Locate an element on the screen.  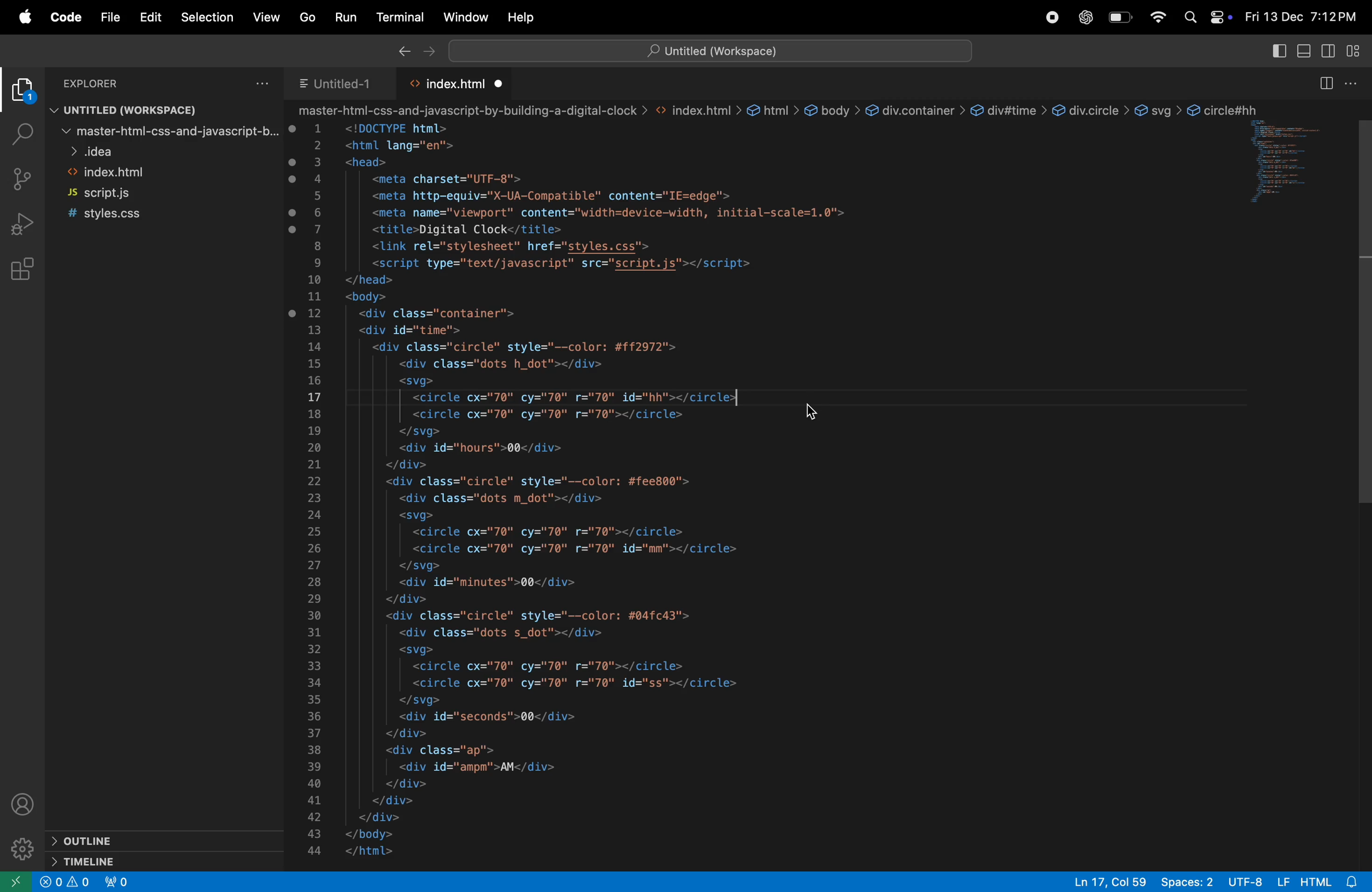
index.html tab is located at coordinates (460, 84).